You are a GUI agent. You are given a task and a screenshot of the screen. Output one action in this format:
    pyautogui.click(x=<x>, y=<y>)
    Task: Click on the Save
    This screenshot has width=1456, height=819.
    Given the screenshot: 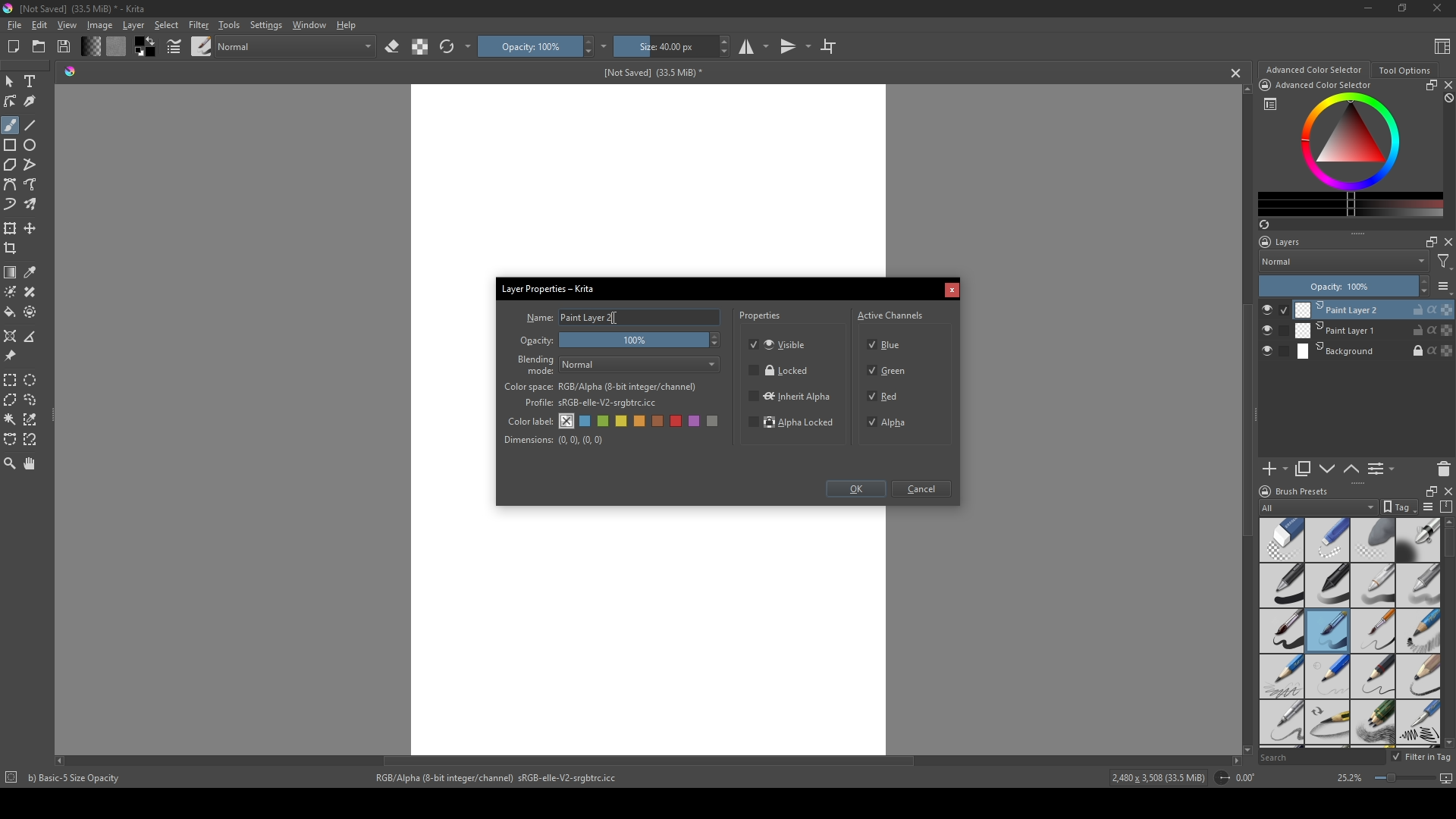 What is the action you would take?
    pyautogui.click(x=65, y=45)
    